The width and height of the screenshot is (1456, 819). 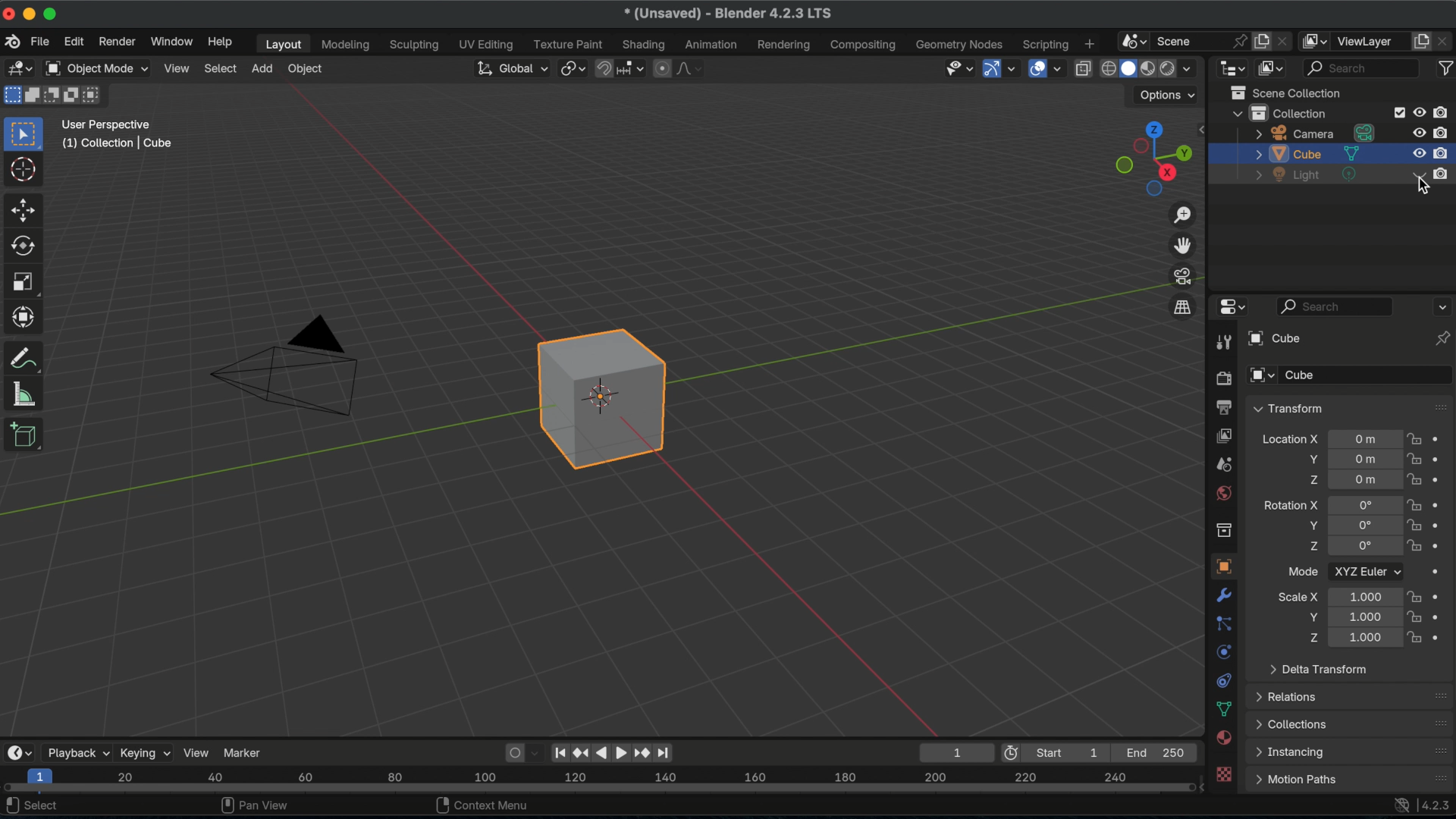 I want to click on move the view, so click(x=1181, y=244).